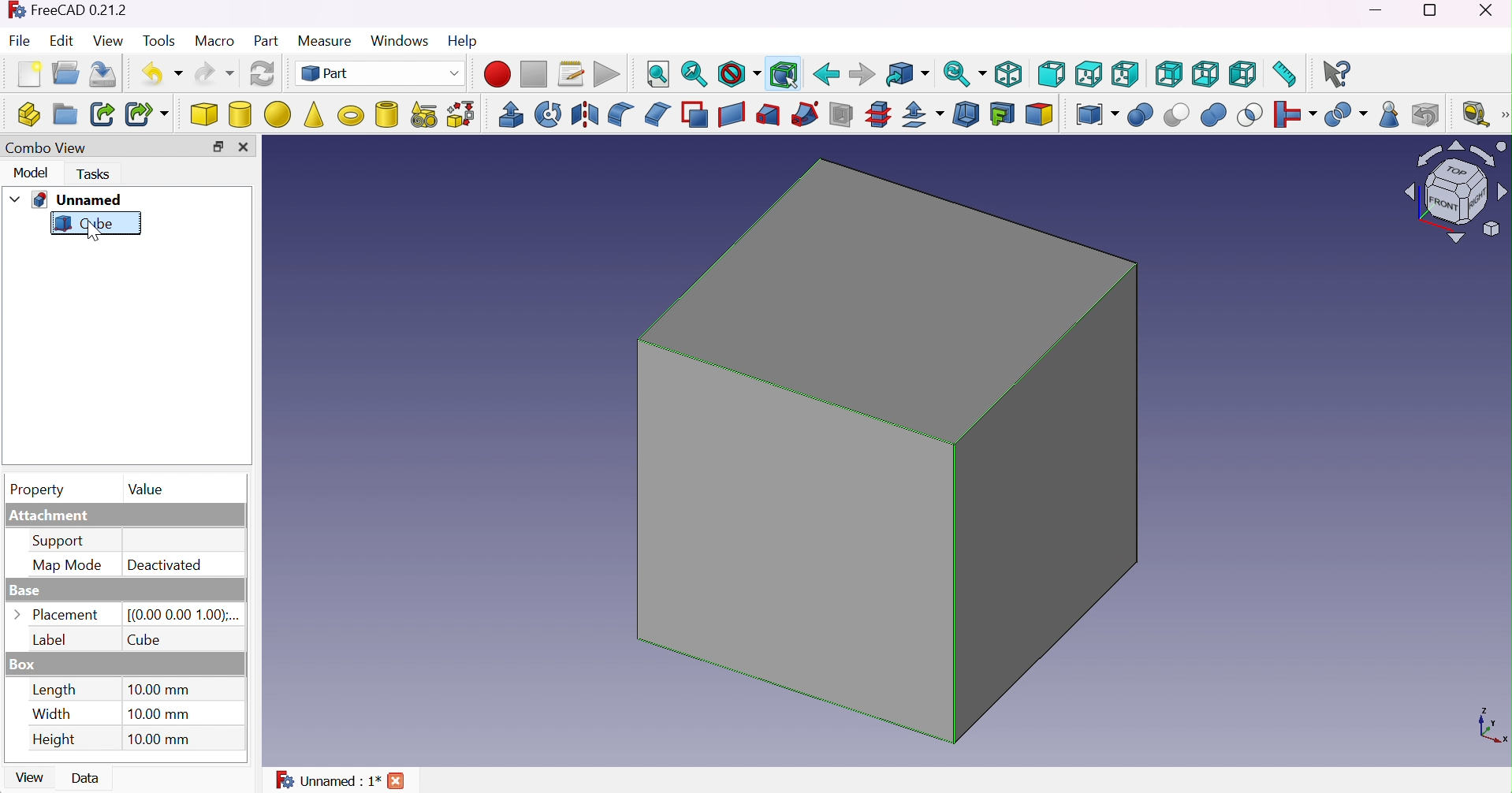 The height and width of the screenshot is (793, 1512). What do you see at coordinates (1170, 74) in the screenshot?
I see `Rear` at bounding box center [1170, 74].